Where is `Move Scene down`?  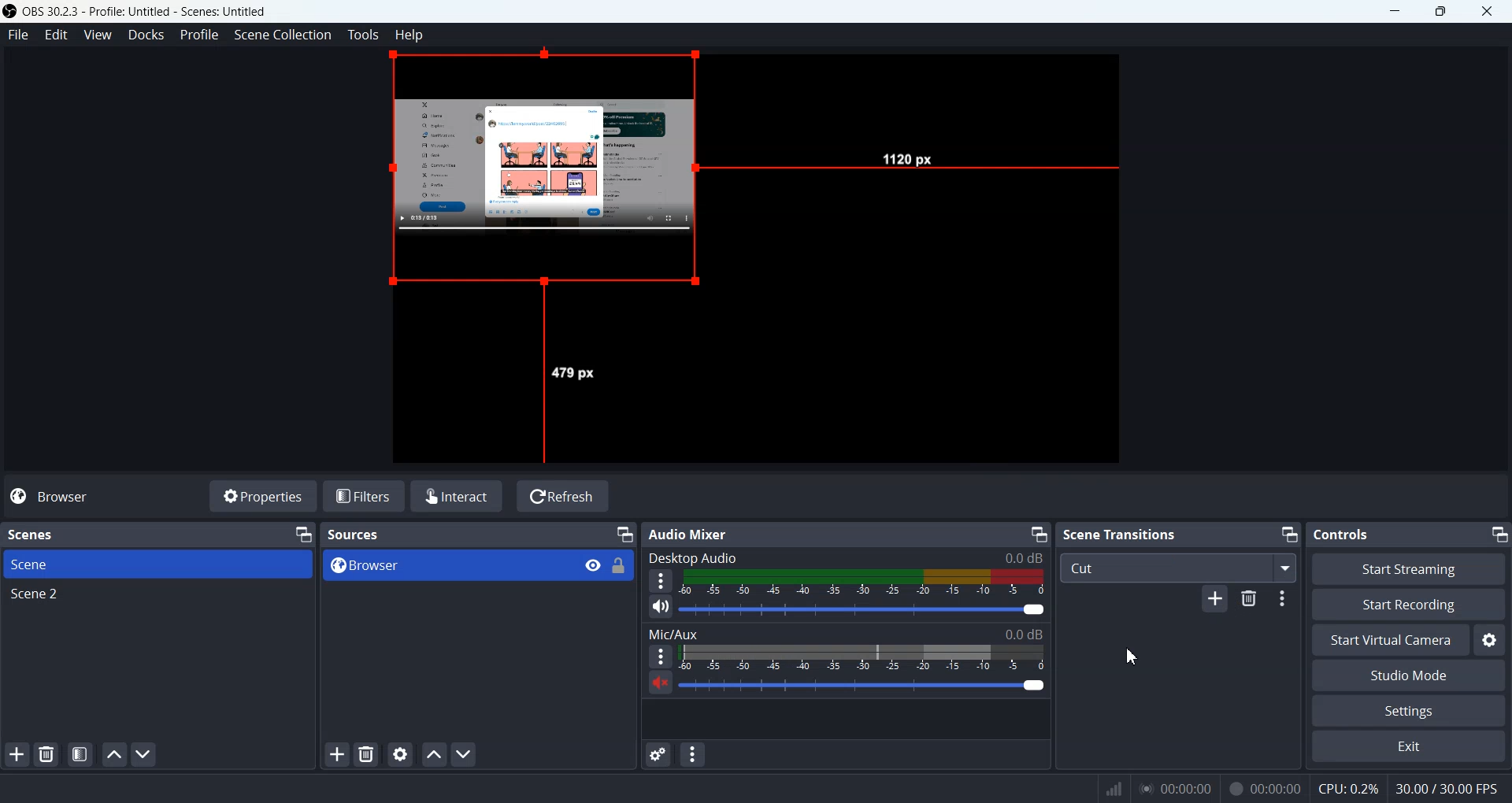
Move Scene down is located at coordinates (145, 753).